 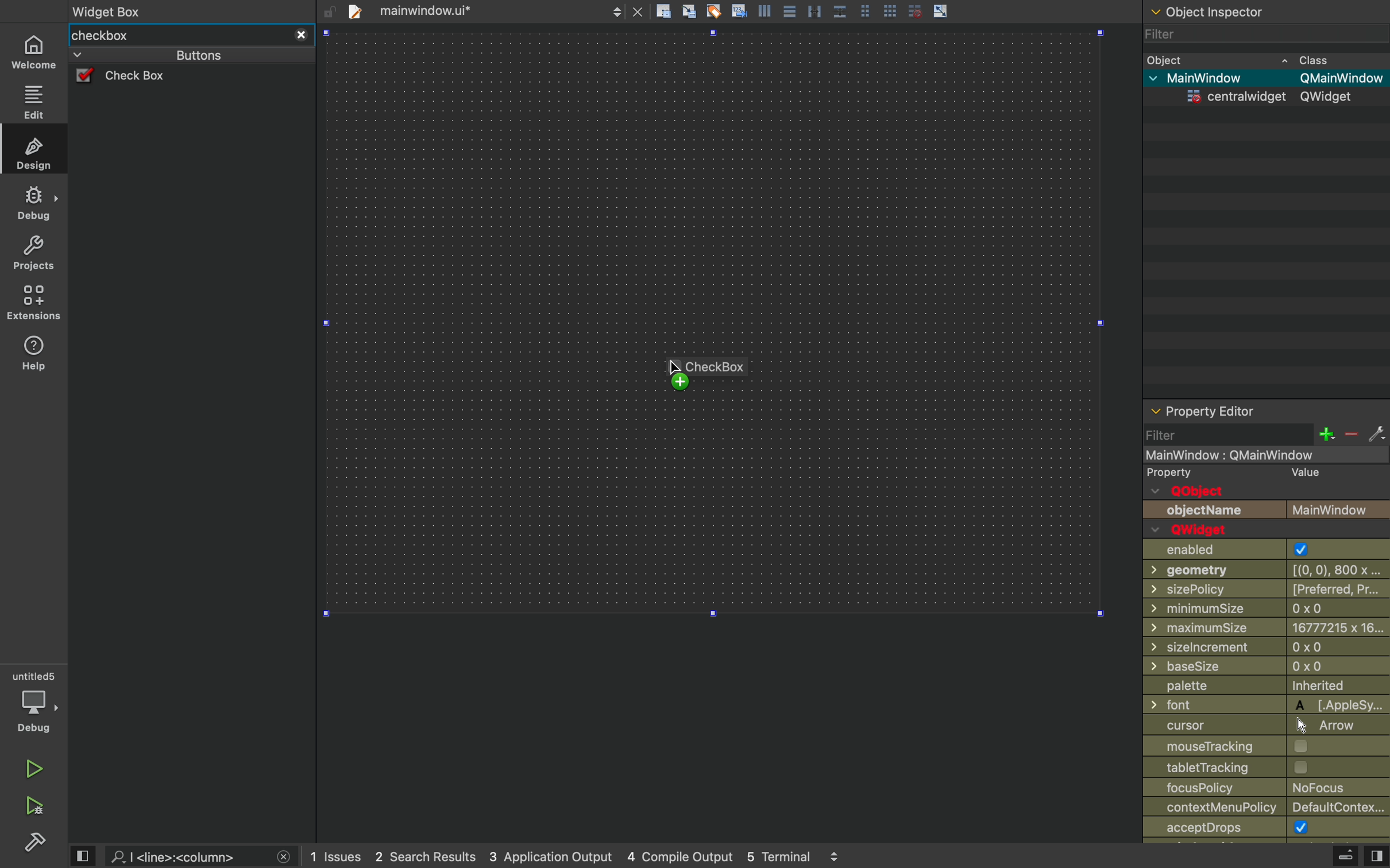 What do you see at coordinates (34, 152) in the screenshot?
I see `design` at bounding box center [34, 152].